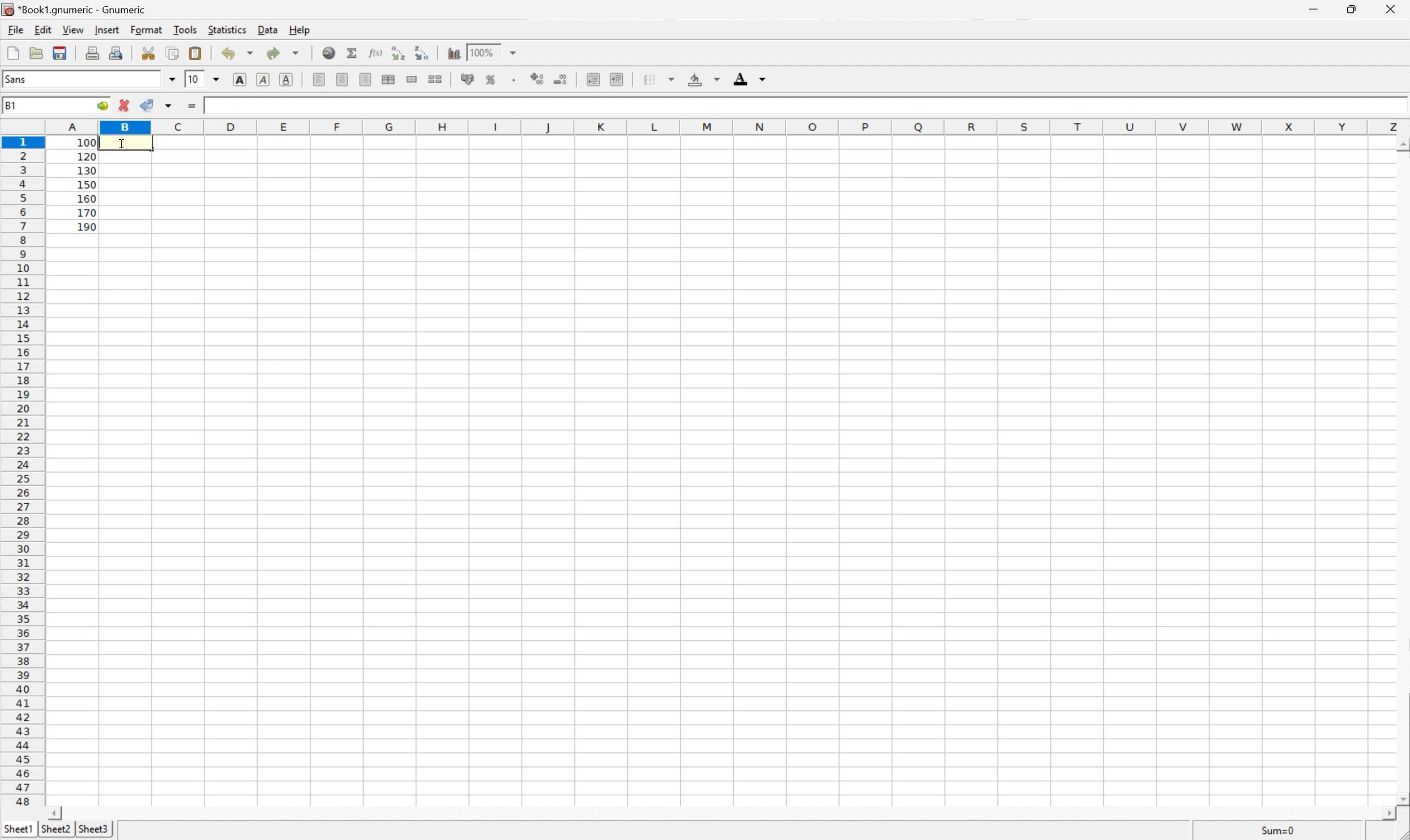  I want to click on Sort the selected region in descending order based on the first column selected, so click(423, 53).